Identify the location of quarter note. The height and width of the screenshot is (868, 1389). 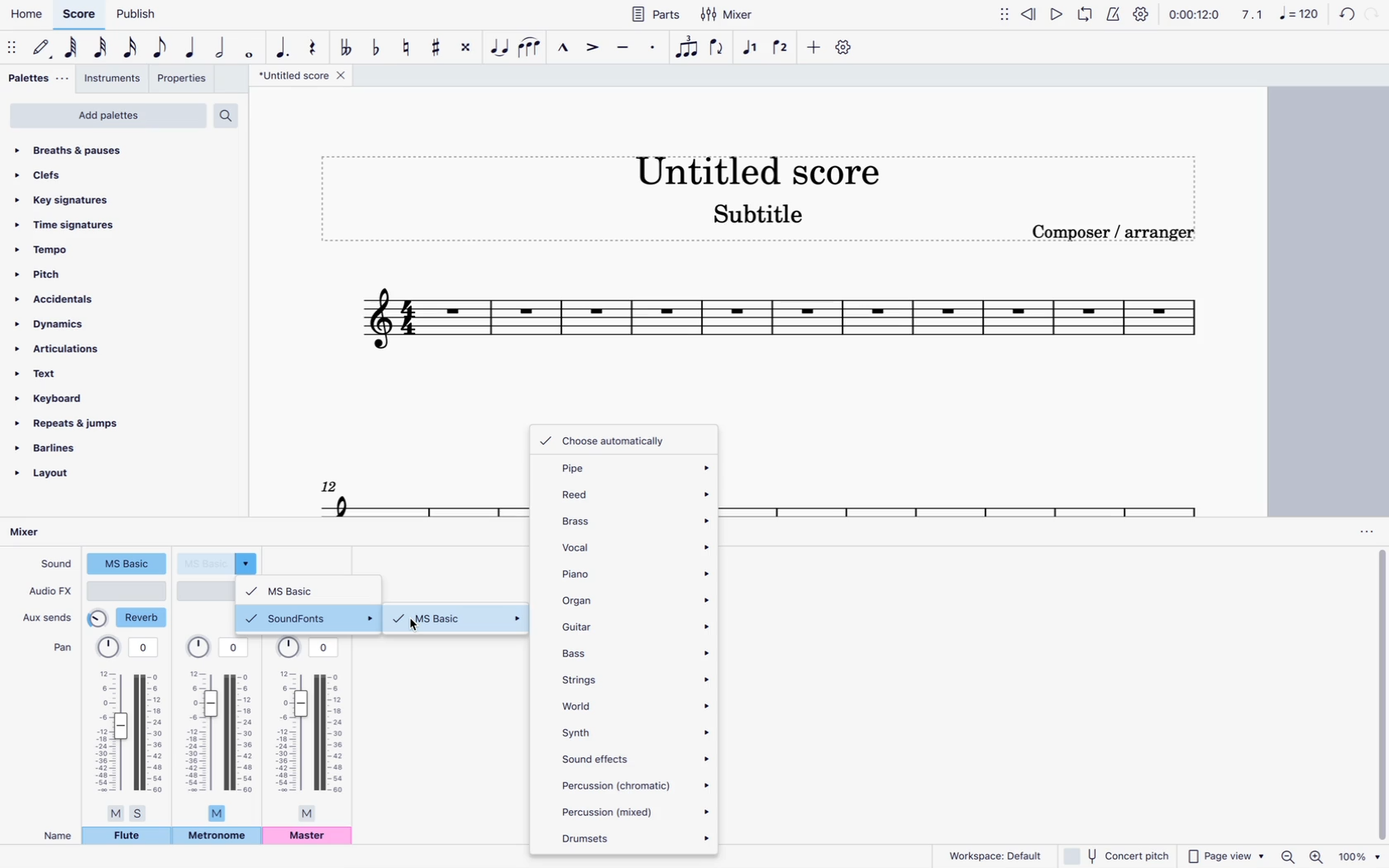
(191, 48).